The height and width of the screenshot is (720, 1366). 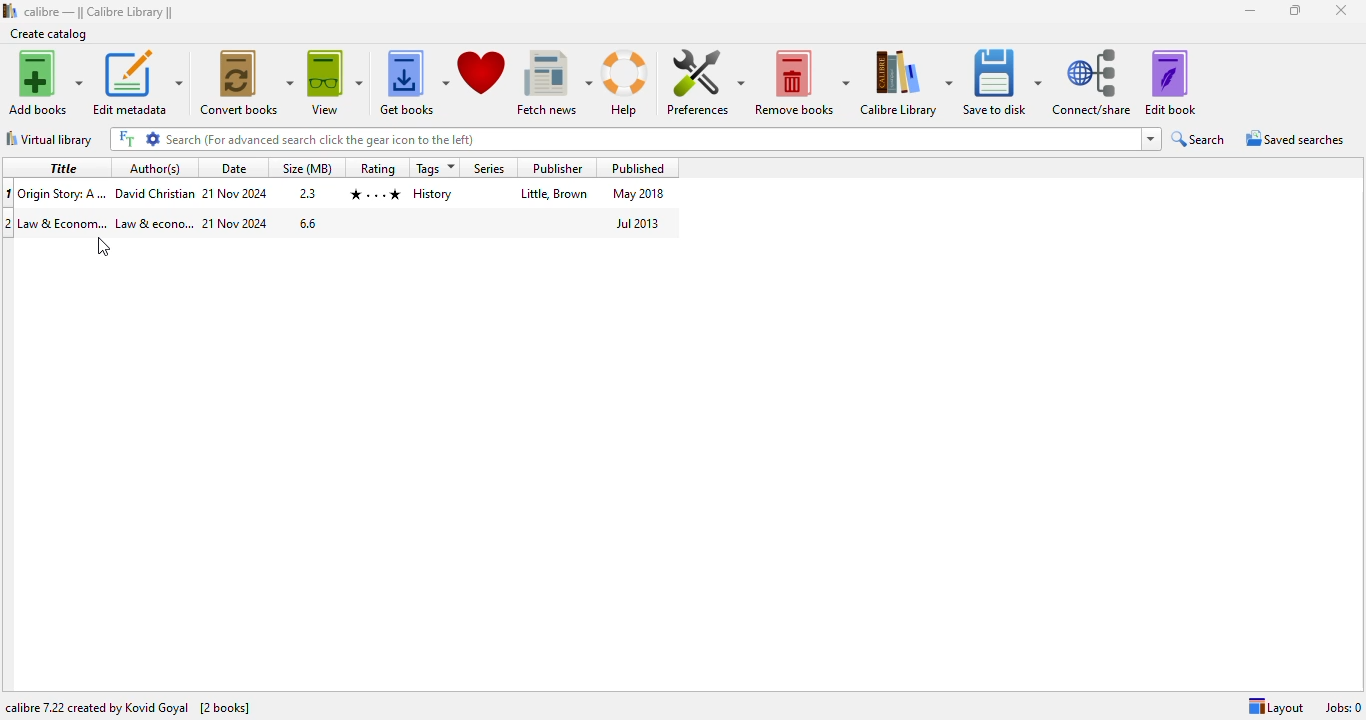 I want to click on published, so click(x=640, y=167).